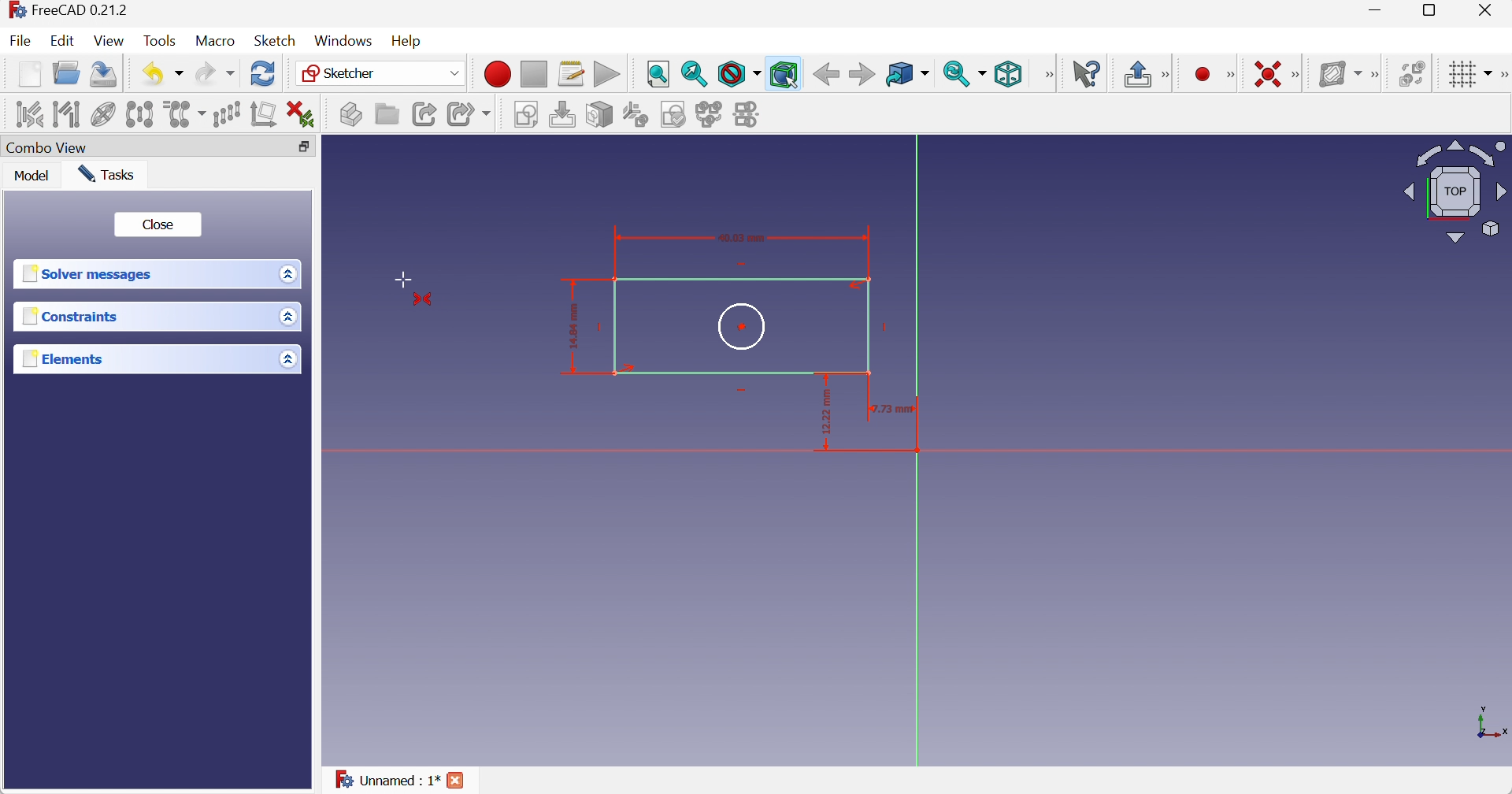 This screenshot has height=794, width=1512. I want to click on [Sketcher edit mode], so click(1168, 76).